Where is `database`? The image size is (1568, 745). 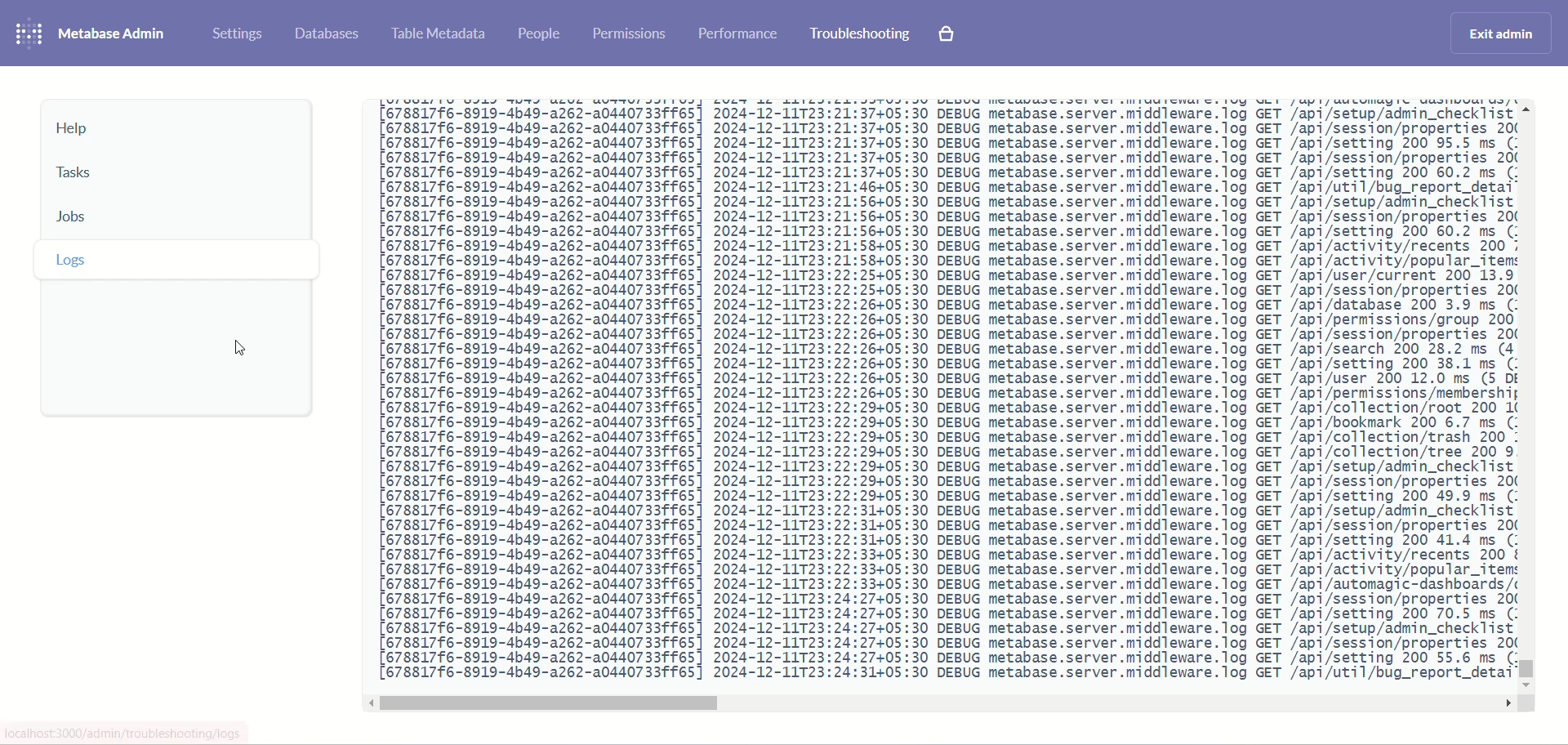
database is located at coordinates (327, 34).